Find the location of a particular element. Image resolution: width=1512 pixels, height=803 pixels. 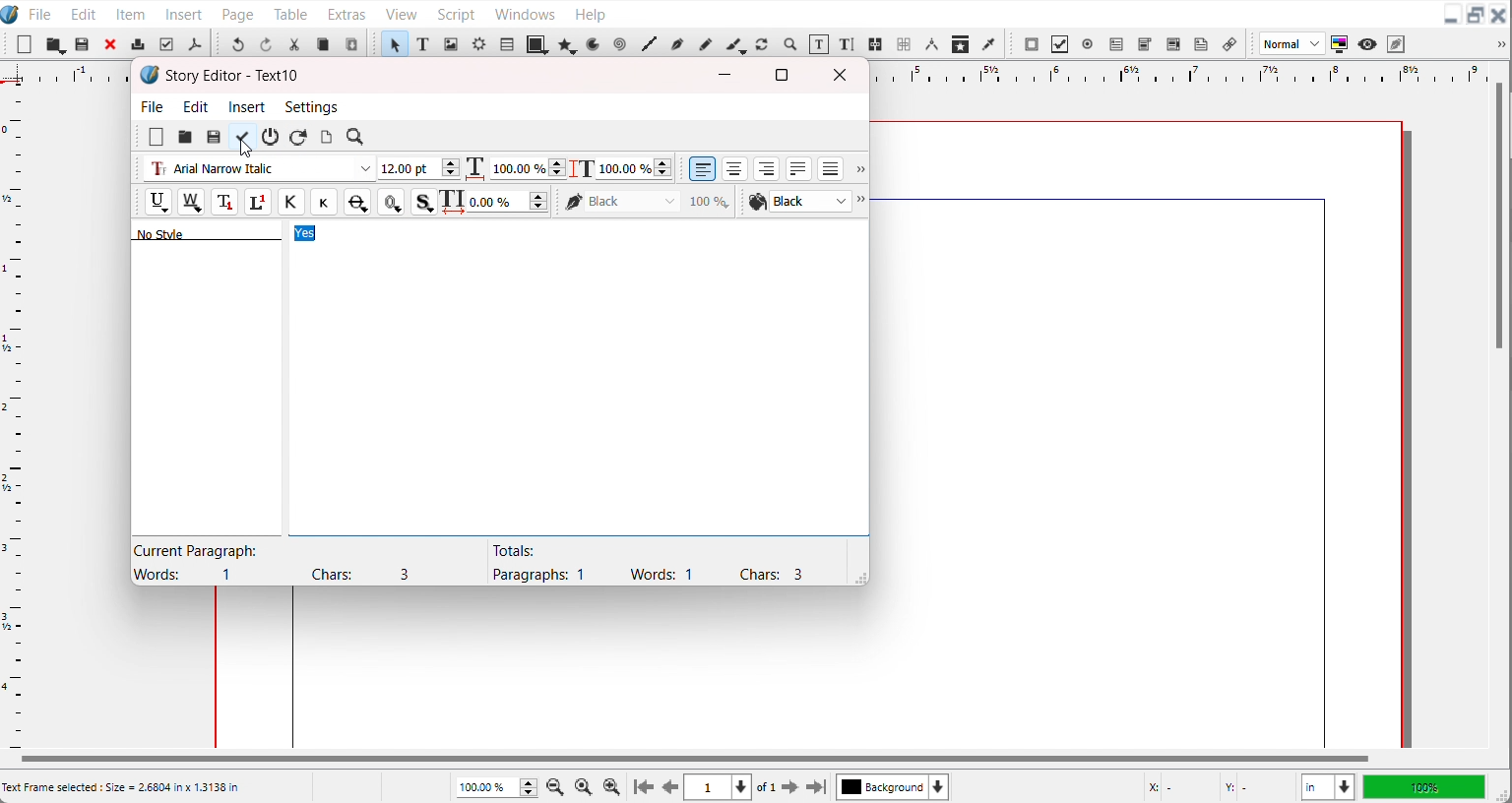

Save as PDF is located at coordinates (194, 44).